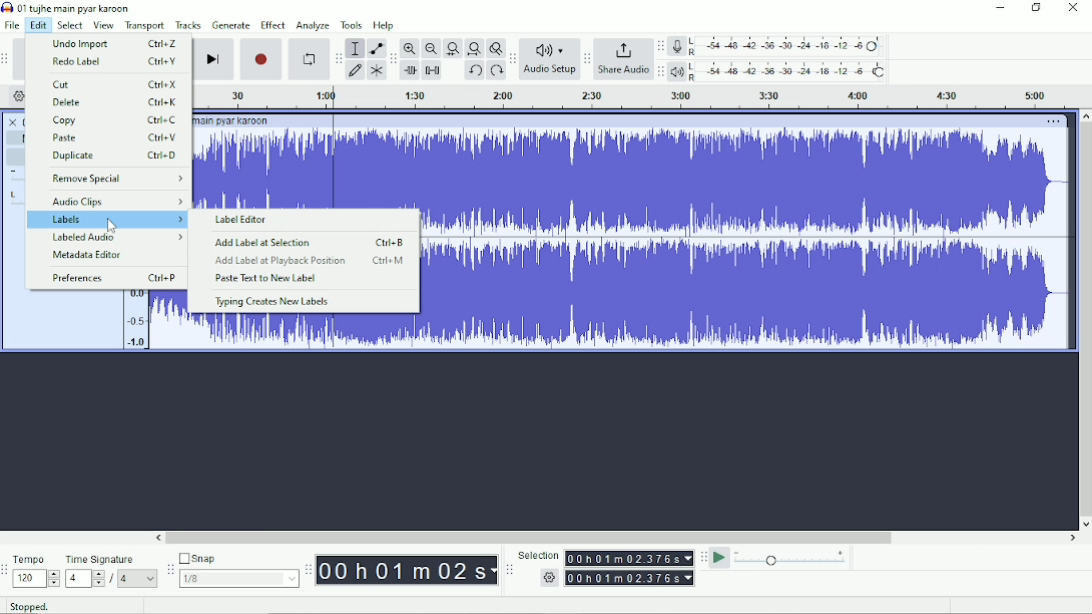 This screenshot has width=1092, height=614. I want to click on Audacity share audio toolbar, so click(587, 60).